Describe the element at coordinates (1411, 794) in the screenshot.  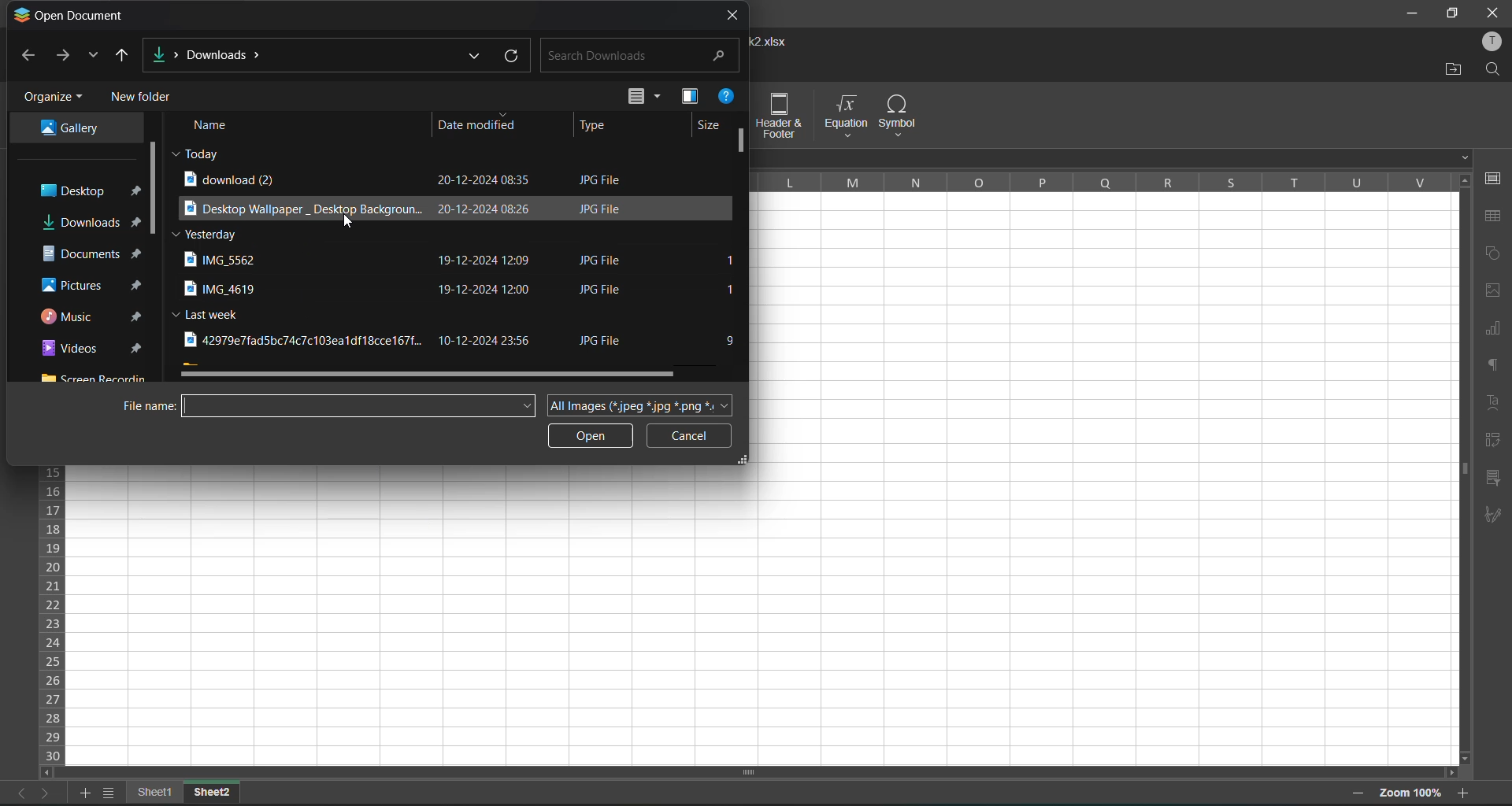
I see `zoom 100%` at that location.